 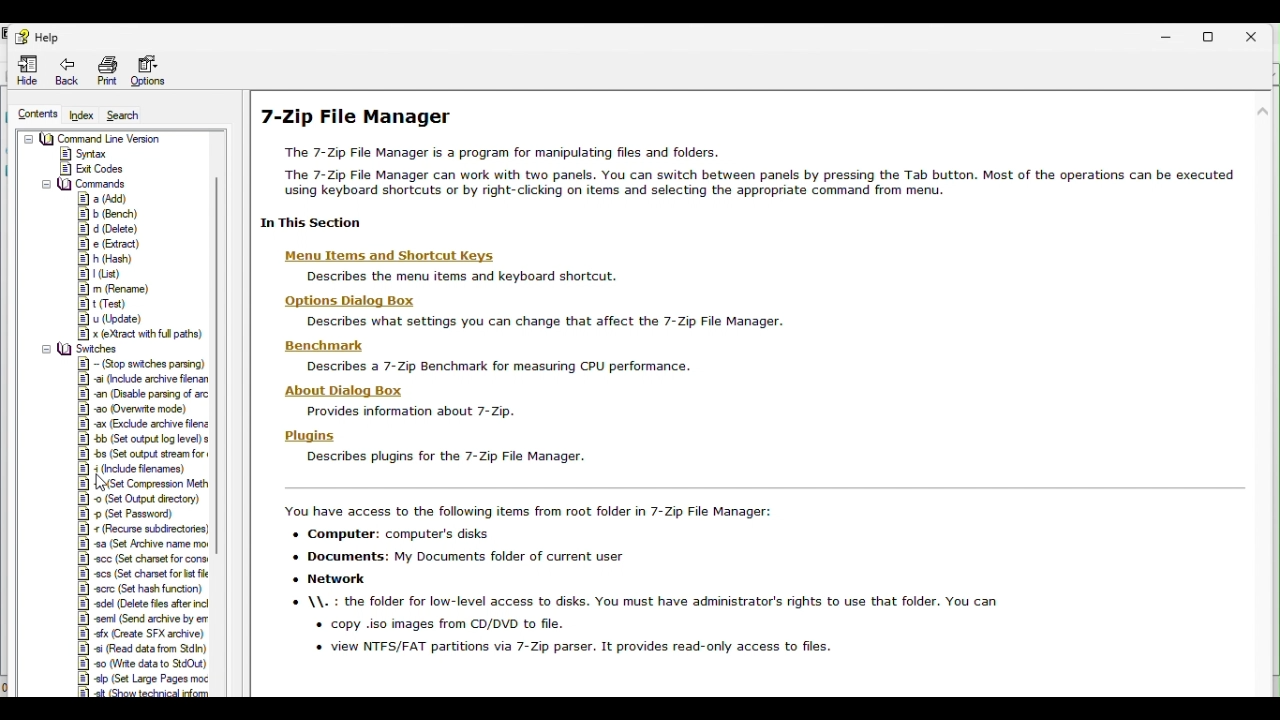 I want to click on benchmark, so click(x=327, y=346).